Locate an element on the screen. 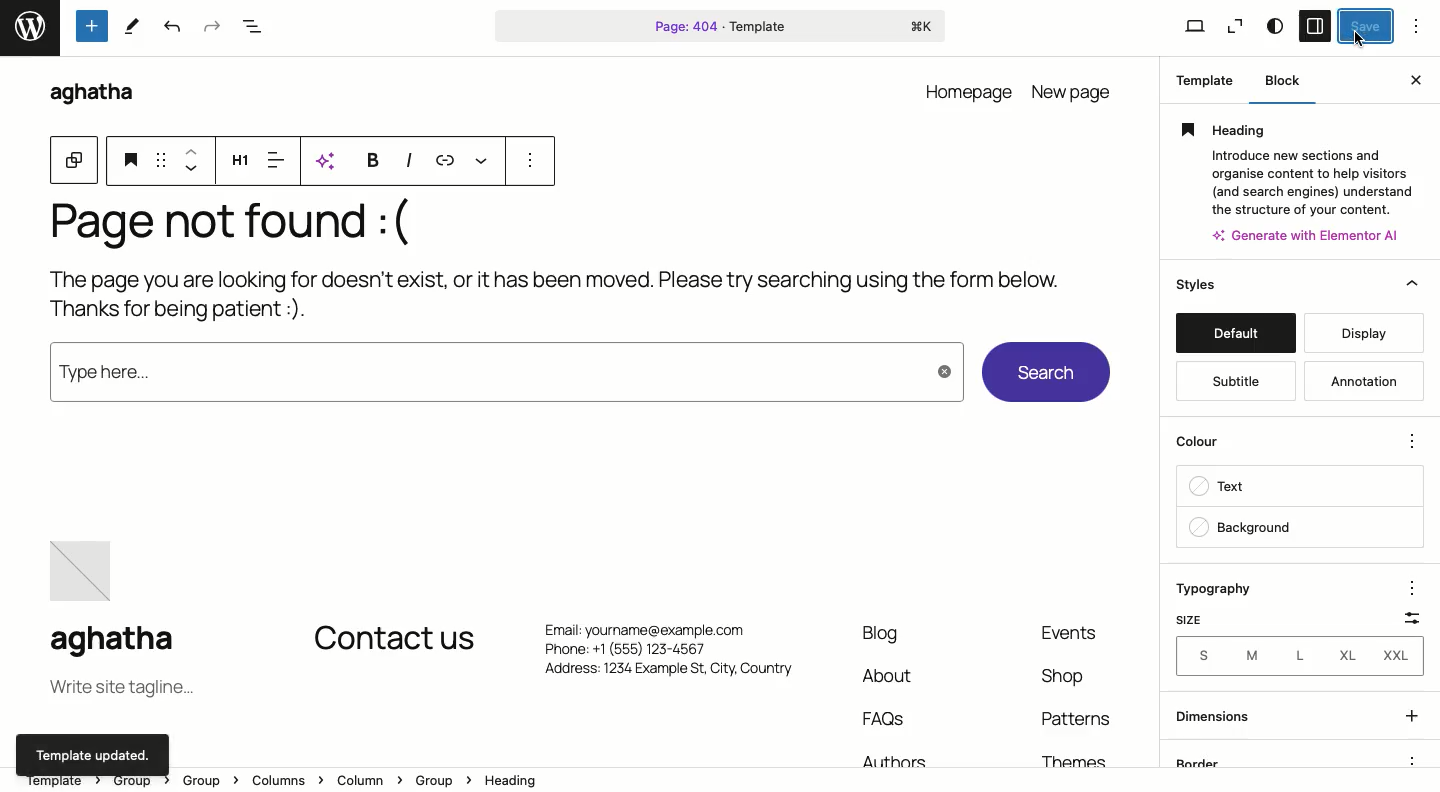 Image resolution: width=1440 pixels, height=792 pixels. Undo is located at coordinates (171, 27).